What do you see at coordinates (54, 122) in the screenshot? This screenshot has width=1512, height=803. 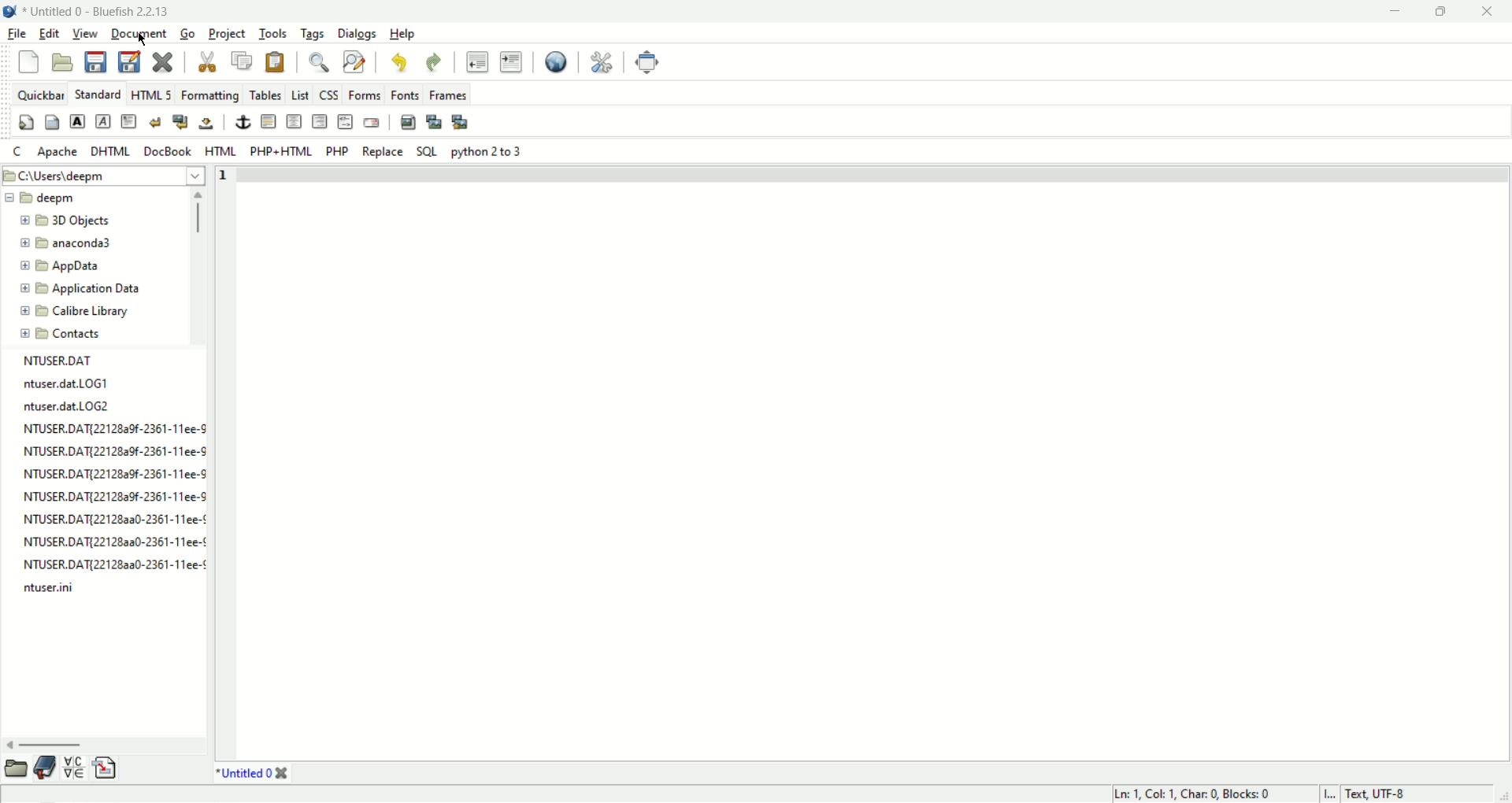 I see `body` at bounding box center [54, 122].